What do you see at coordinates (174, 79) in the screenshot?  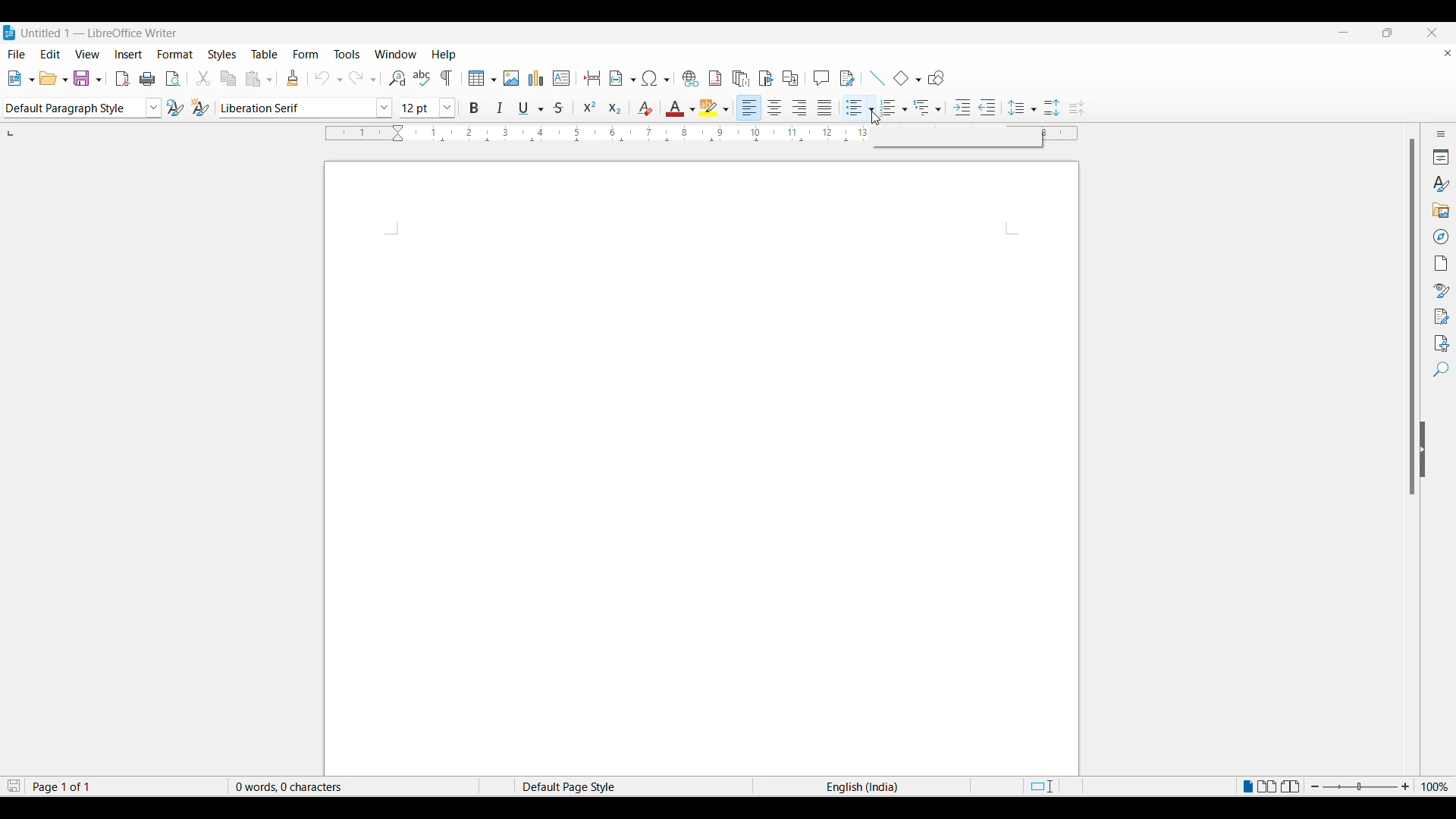 I see `toggle print preview` at bounding box center [174, 79].